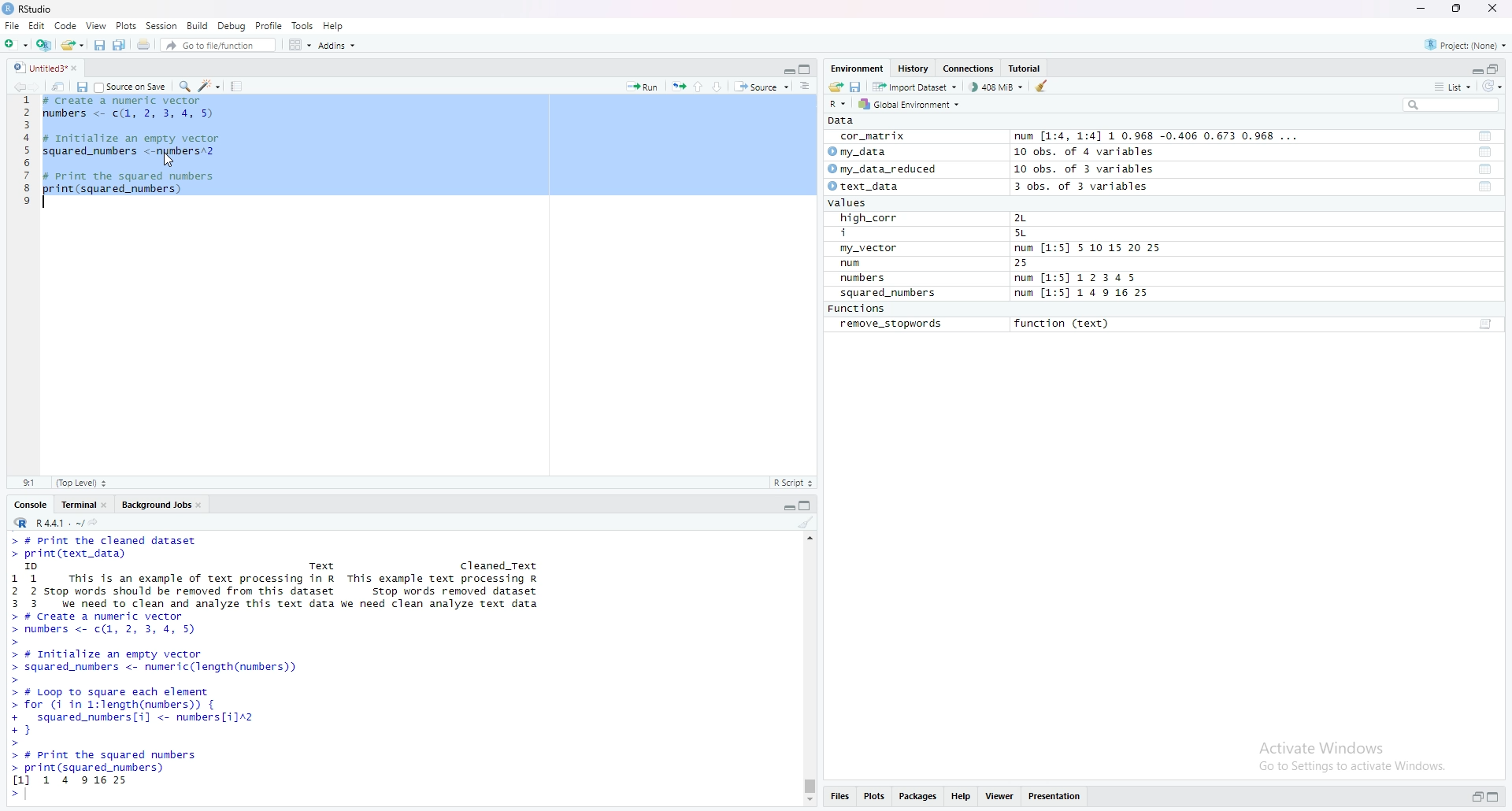 Image resolution: width=1512 pixels, height=811 pixels. What do you see at coordinates (643, 85) in the screenshot?
I see `Run` at bounding box center [643, 85].